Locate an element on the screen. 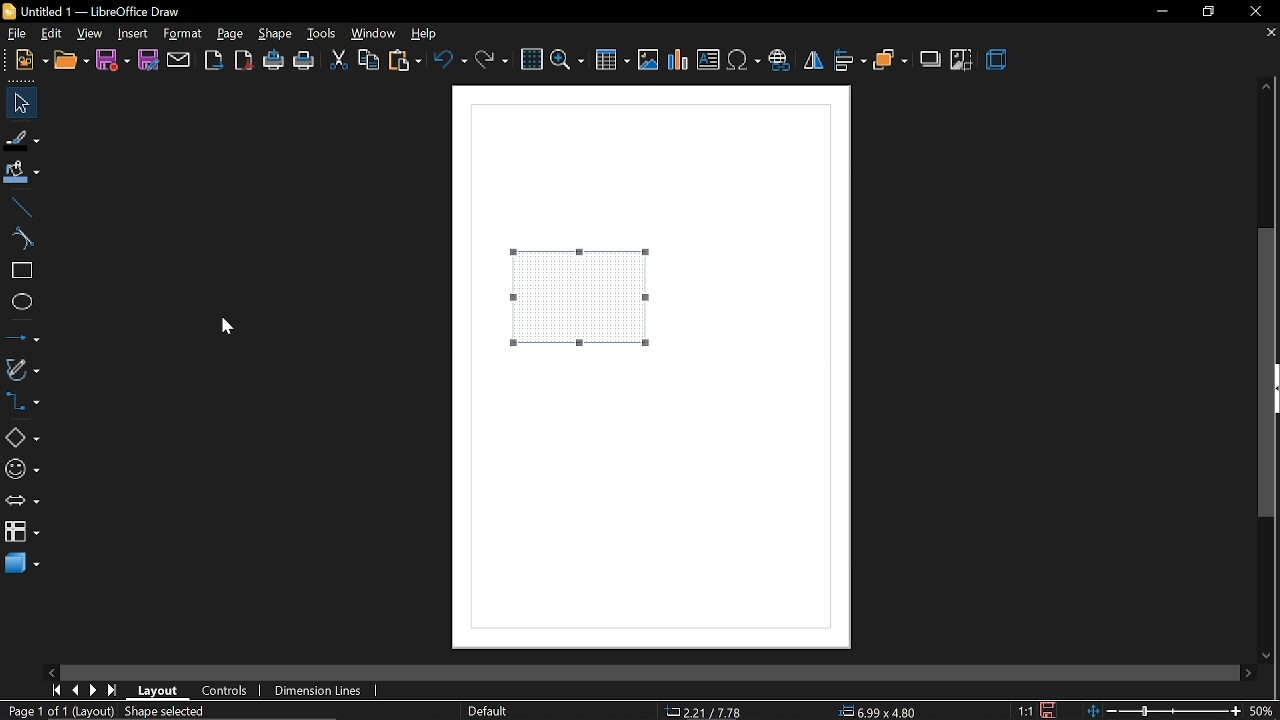  insert image is located at coordinates (650, 60).